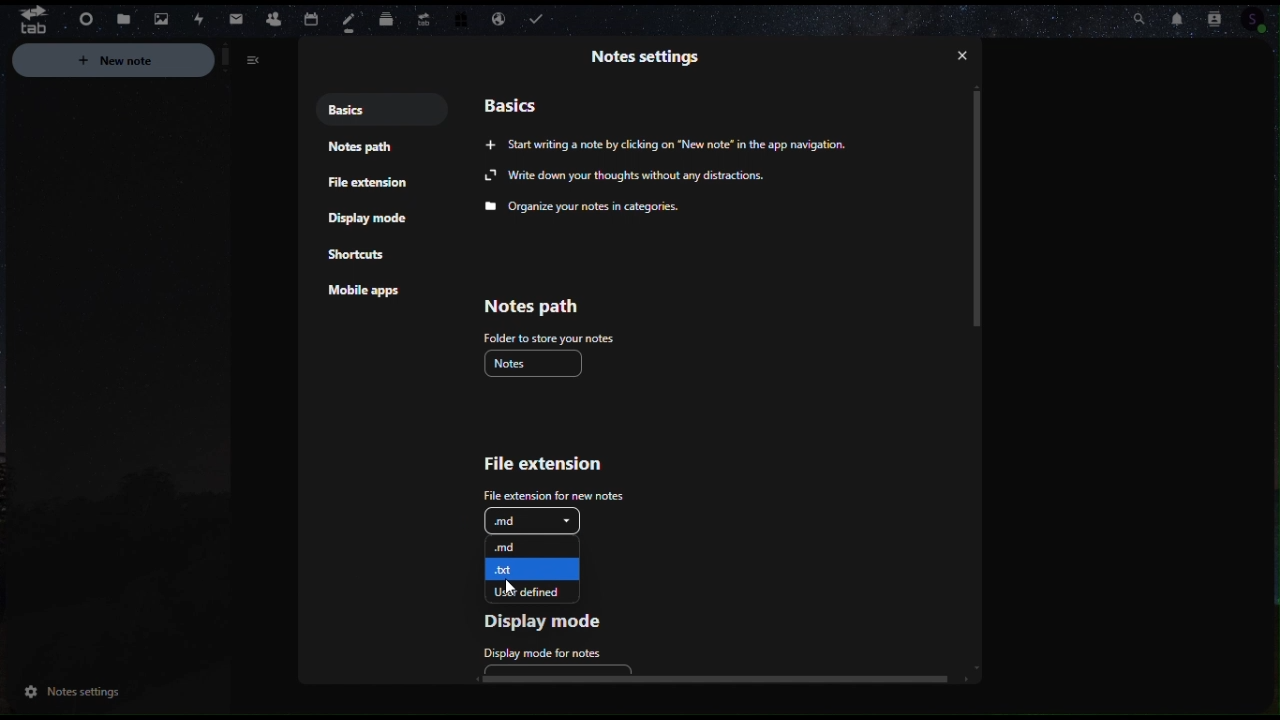  I want to click on Shortcuts, so click(359, 257).